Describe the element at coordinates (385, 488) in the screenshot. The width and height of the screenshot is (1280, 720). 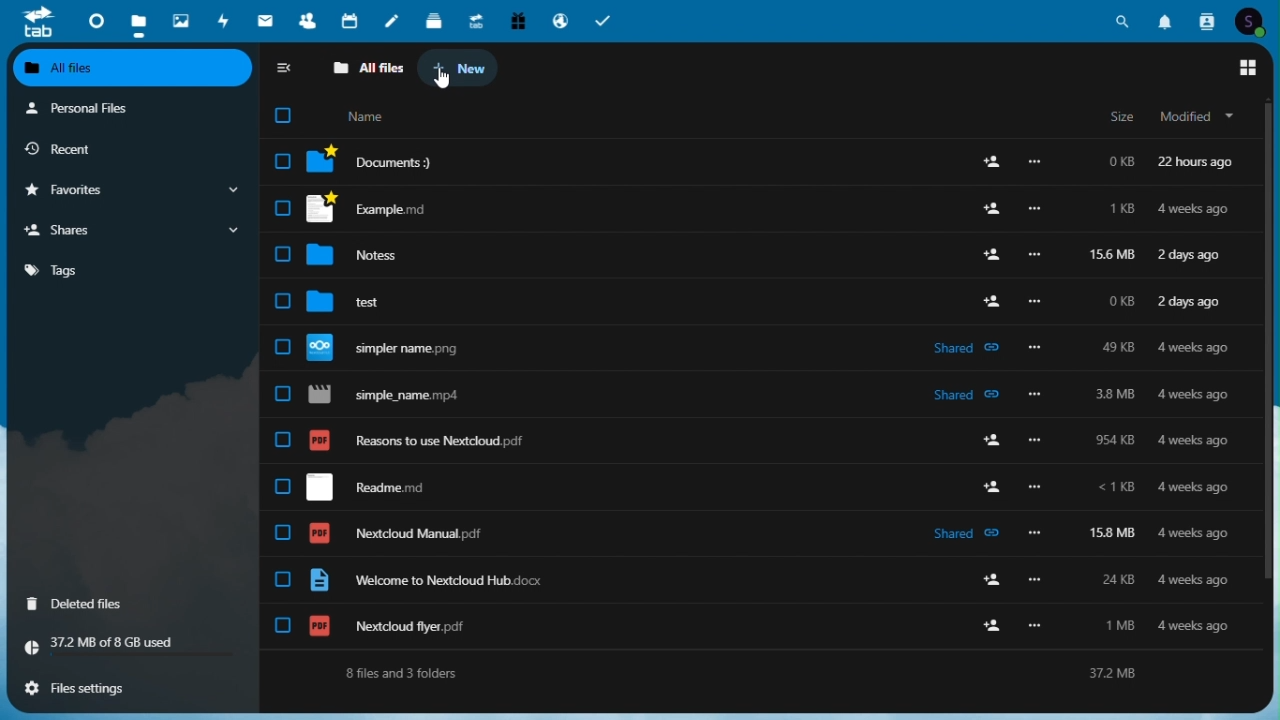
I see `readme.md` at that location.